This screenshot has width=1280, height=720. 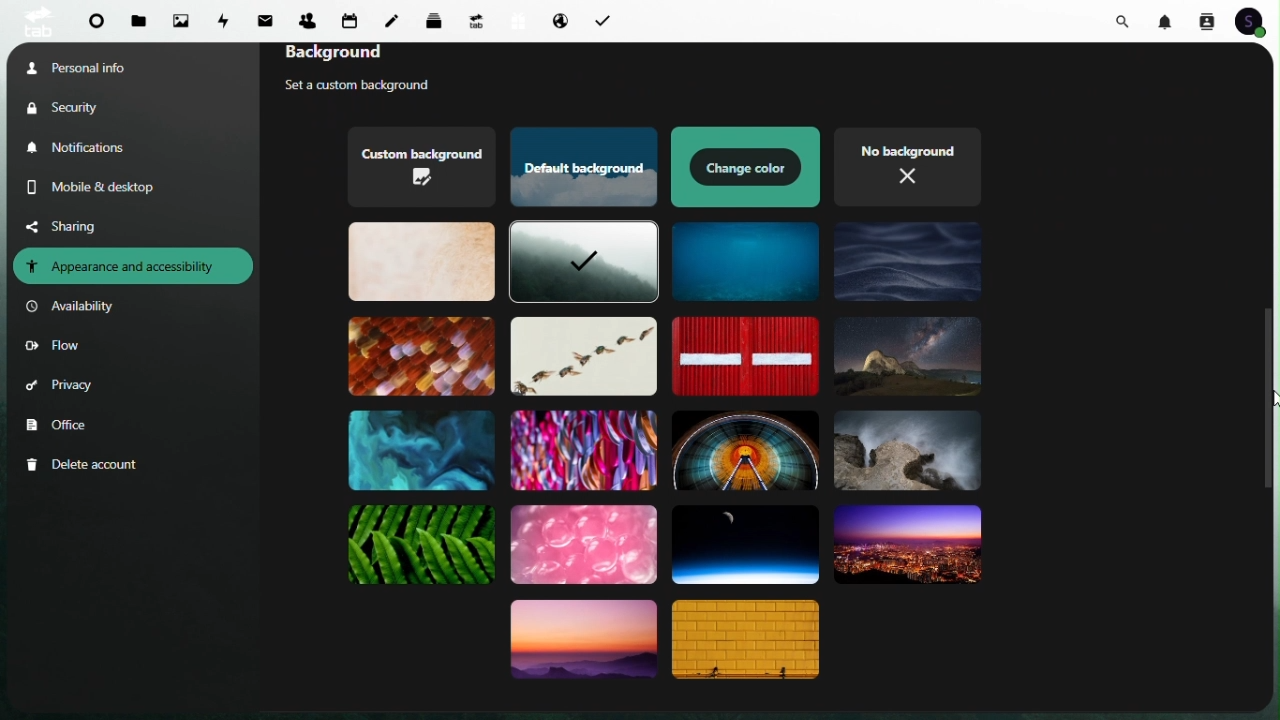 I want to click on Themes, so click(x=741, y=356).